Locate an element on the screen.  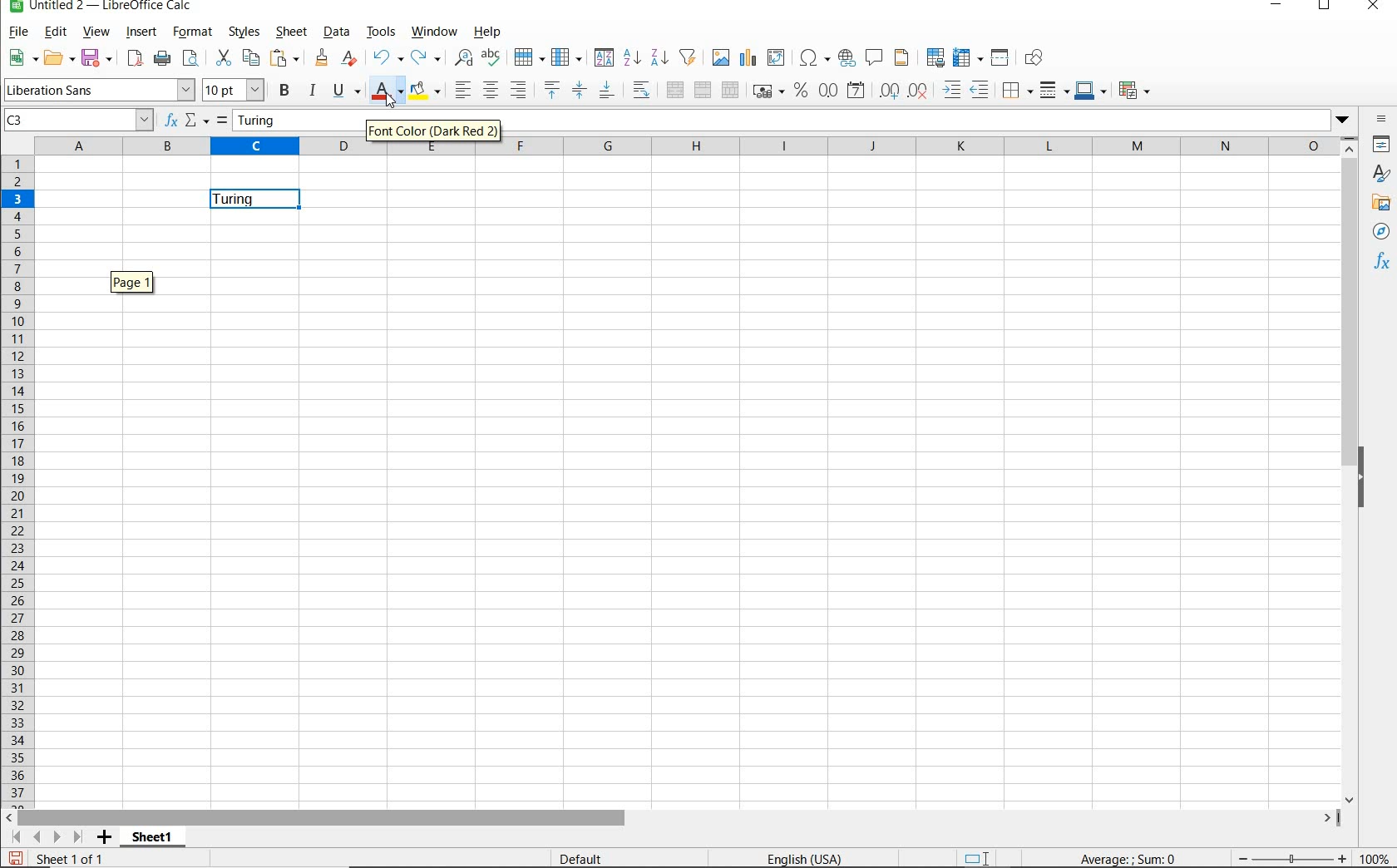
INSERT HYPERLINK is located at coordinates (847, 60).